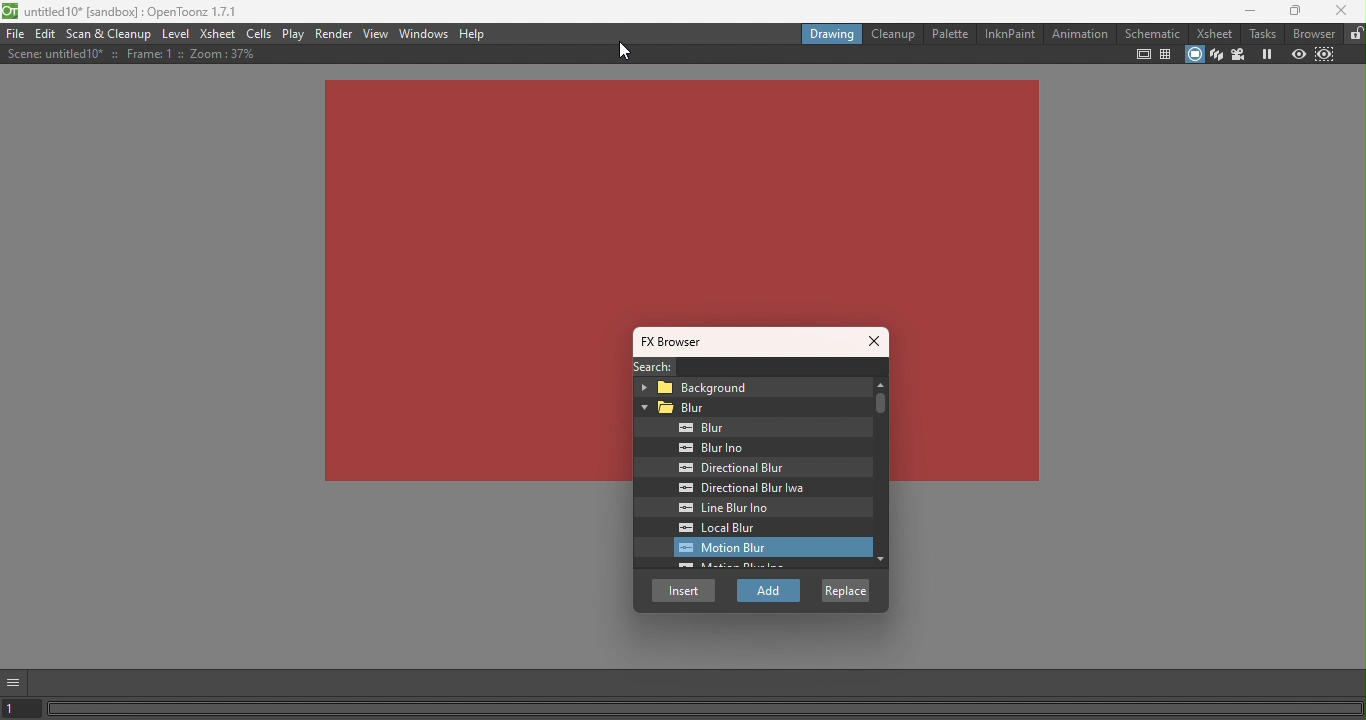  What do you see at coordinates (47, 35) in the screenshot?
I see `Edit` at bounding box center [47, 35].